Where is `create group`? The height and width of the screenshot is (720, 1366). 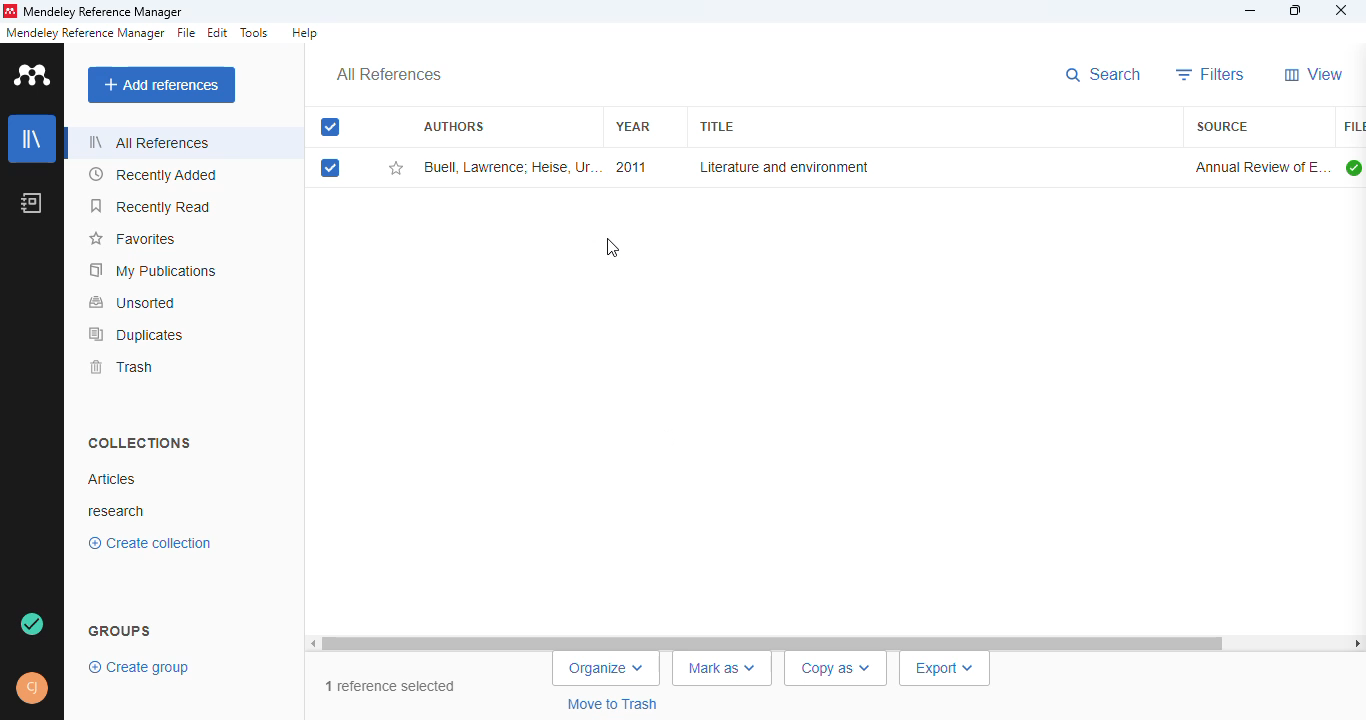 create group is located at coordinates (139, 670).